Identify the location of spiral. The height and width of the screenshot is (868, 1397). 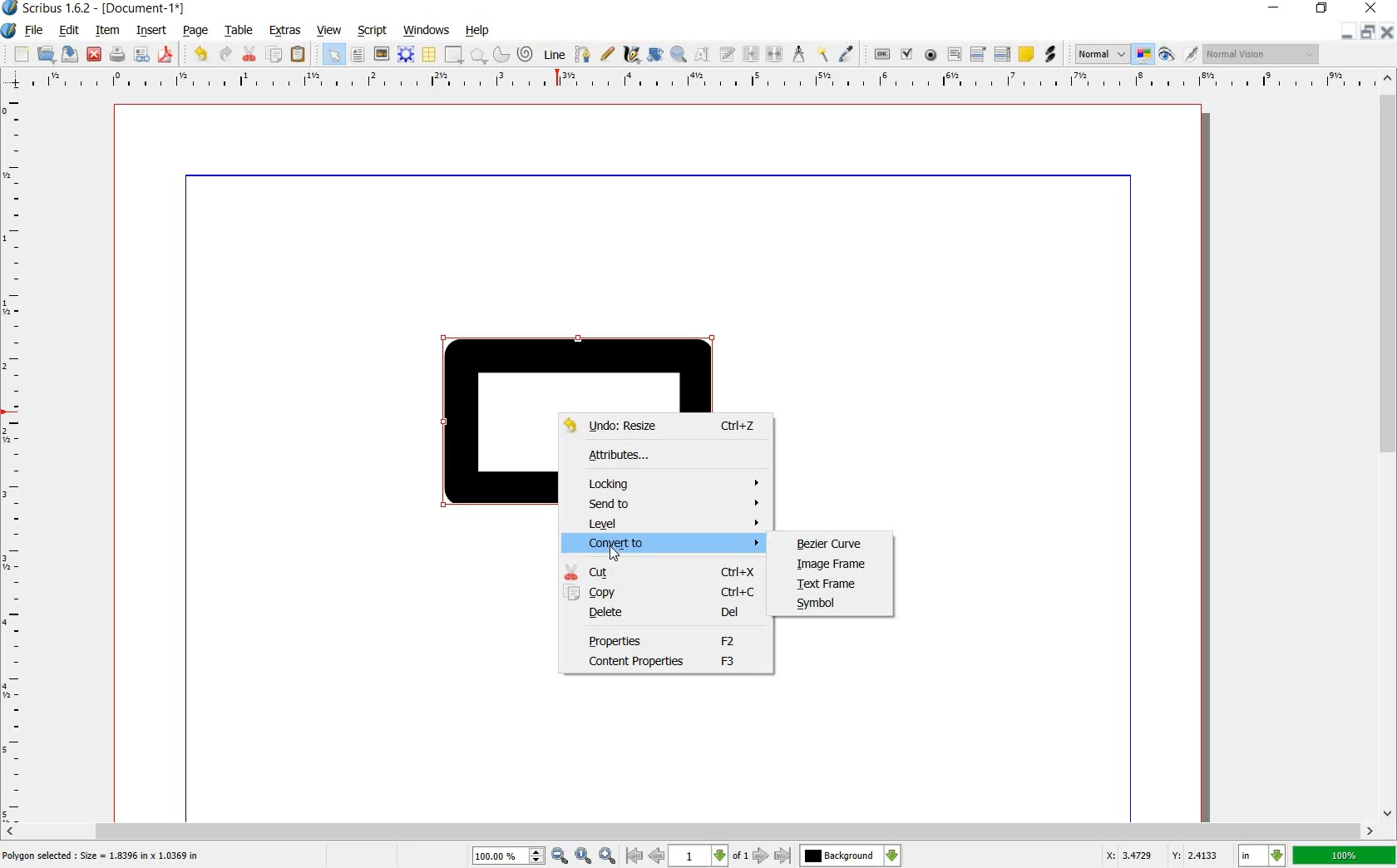
(525, 53).